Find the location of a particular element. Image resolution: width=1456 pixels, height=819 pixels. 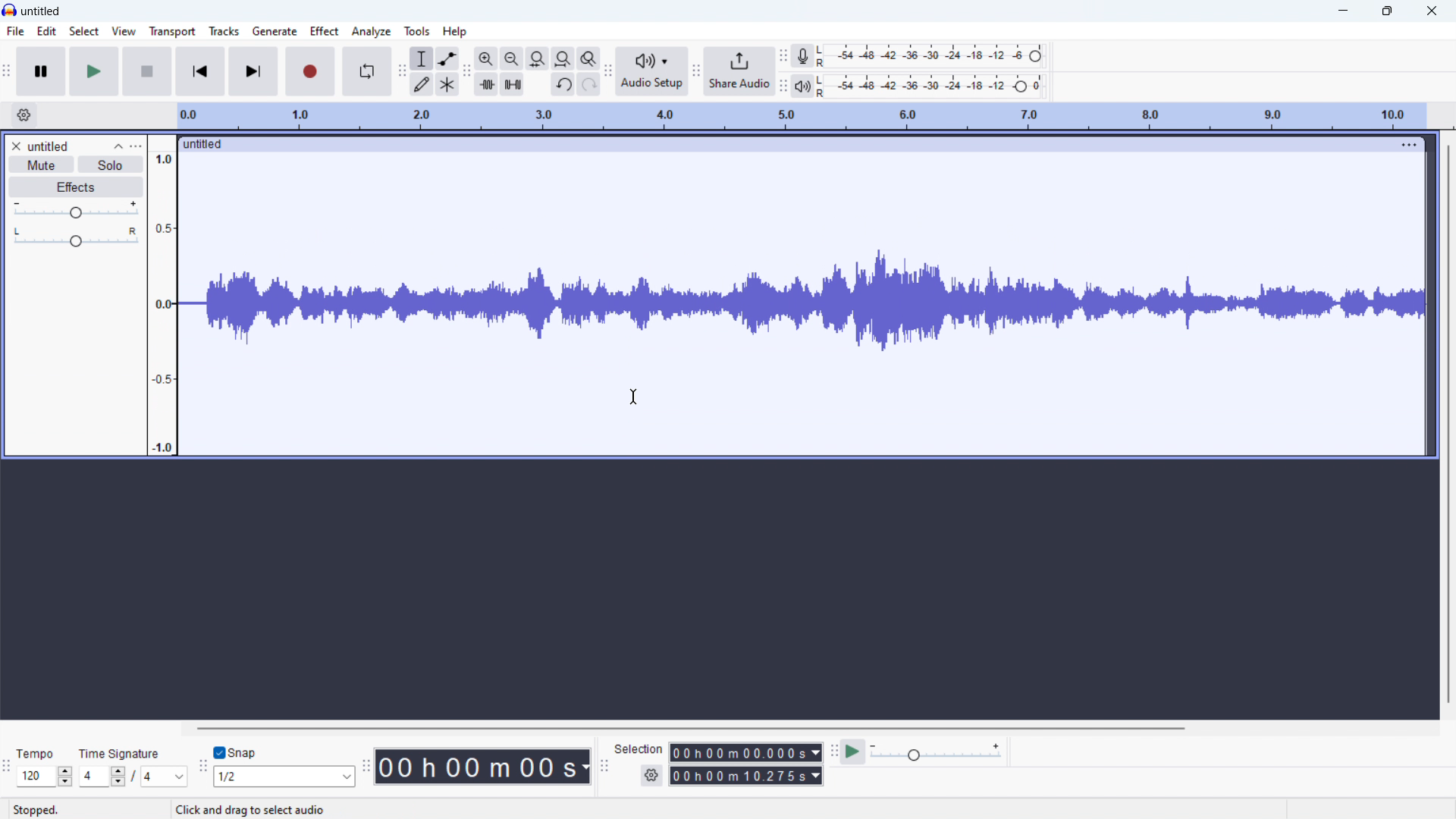

tool is located at coordinates (417, 31).